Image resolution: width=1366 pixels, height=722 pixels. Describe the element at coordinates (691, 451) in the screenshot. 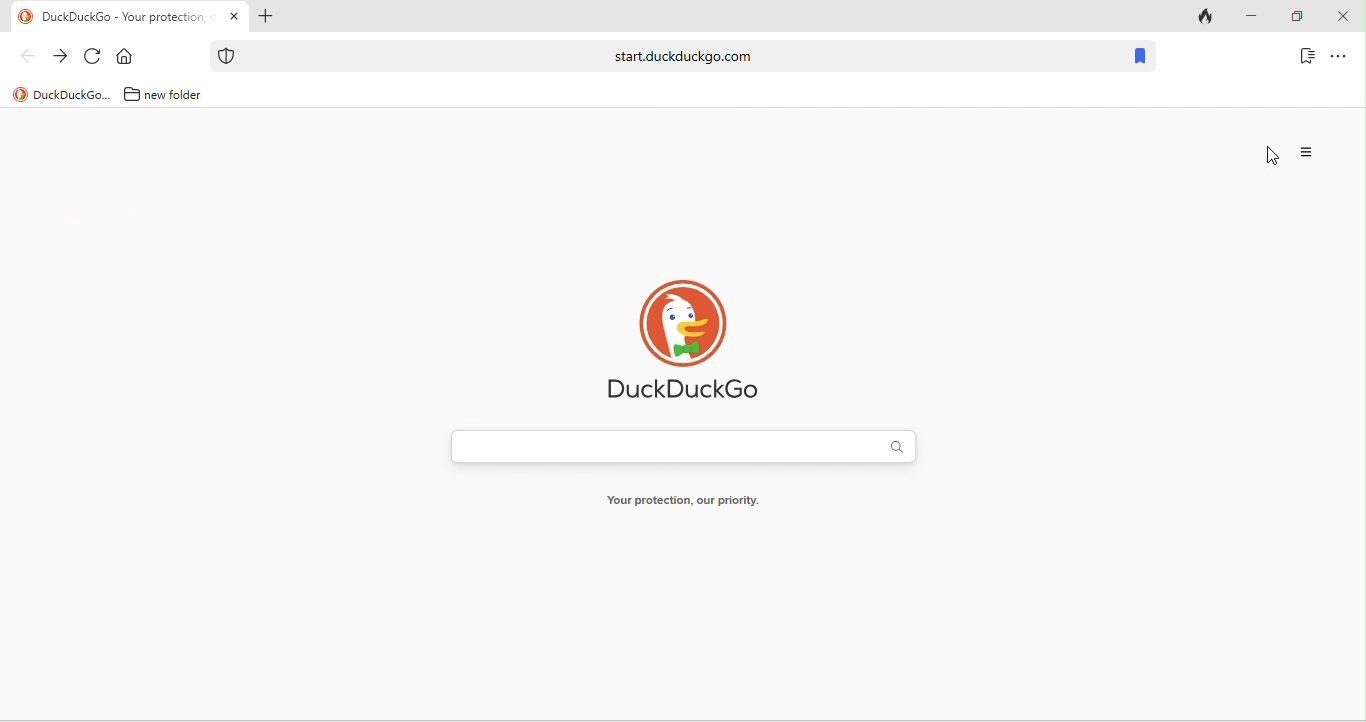

I see `search bar` at that location.